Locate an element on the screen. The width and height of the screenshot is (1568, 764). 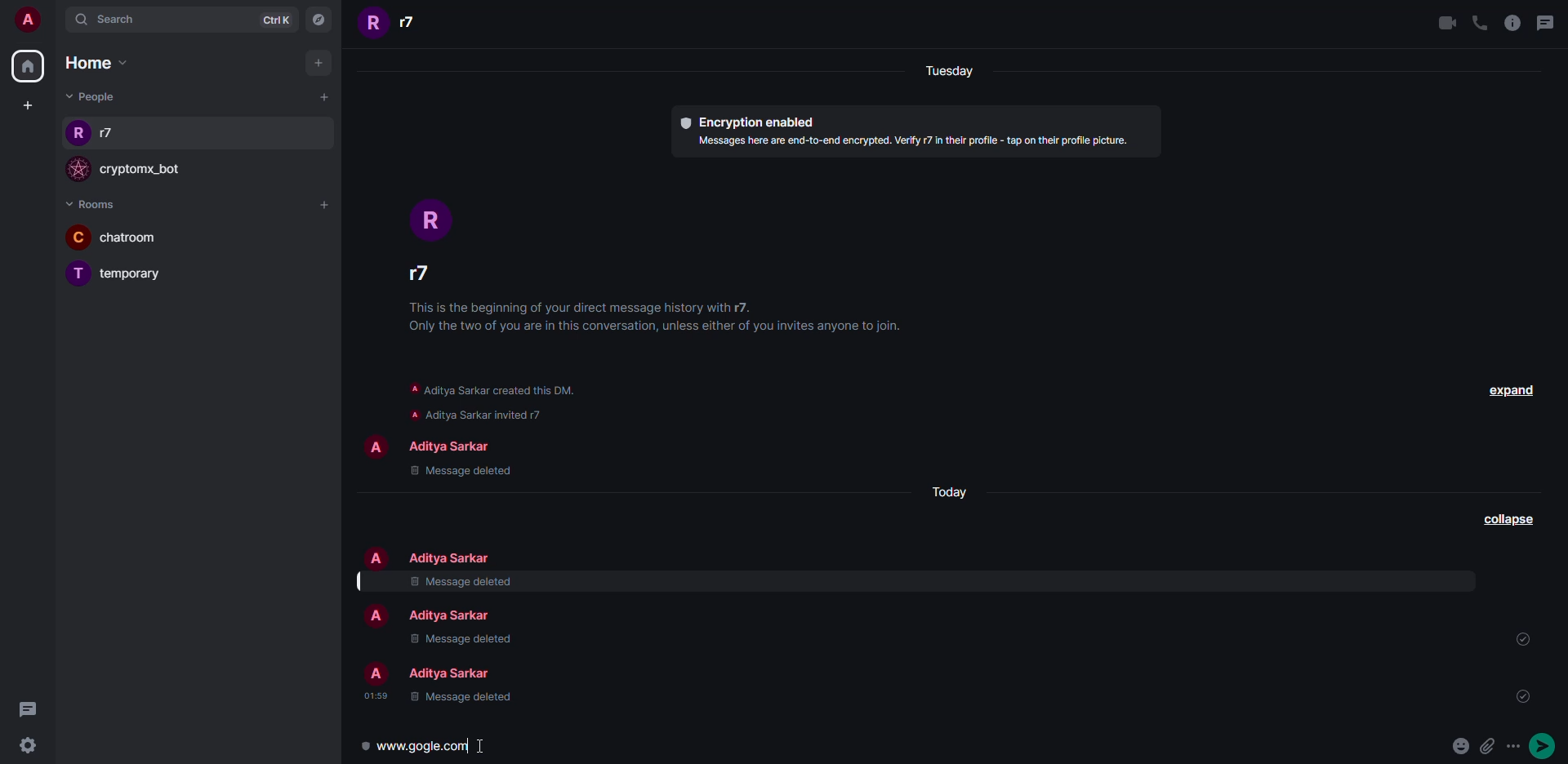
message deleted is located at coordinates (460, 582).